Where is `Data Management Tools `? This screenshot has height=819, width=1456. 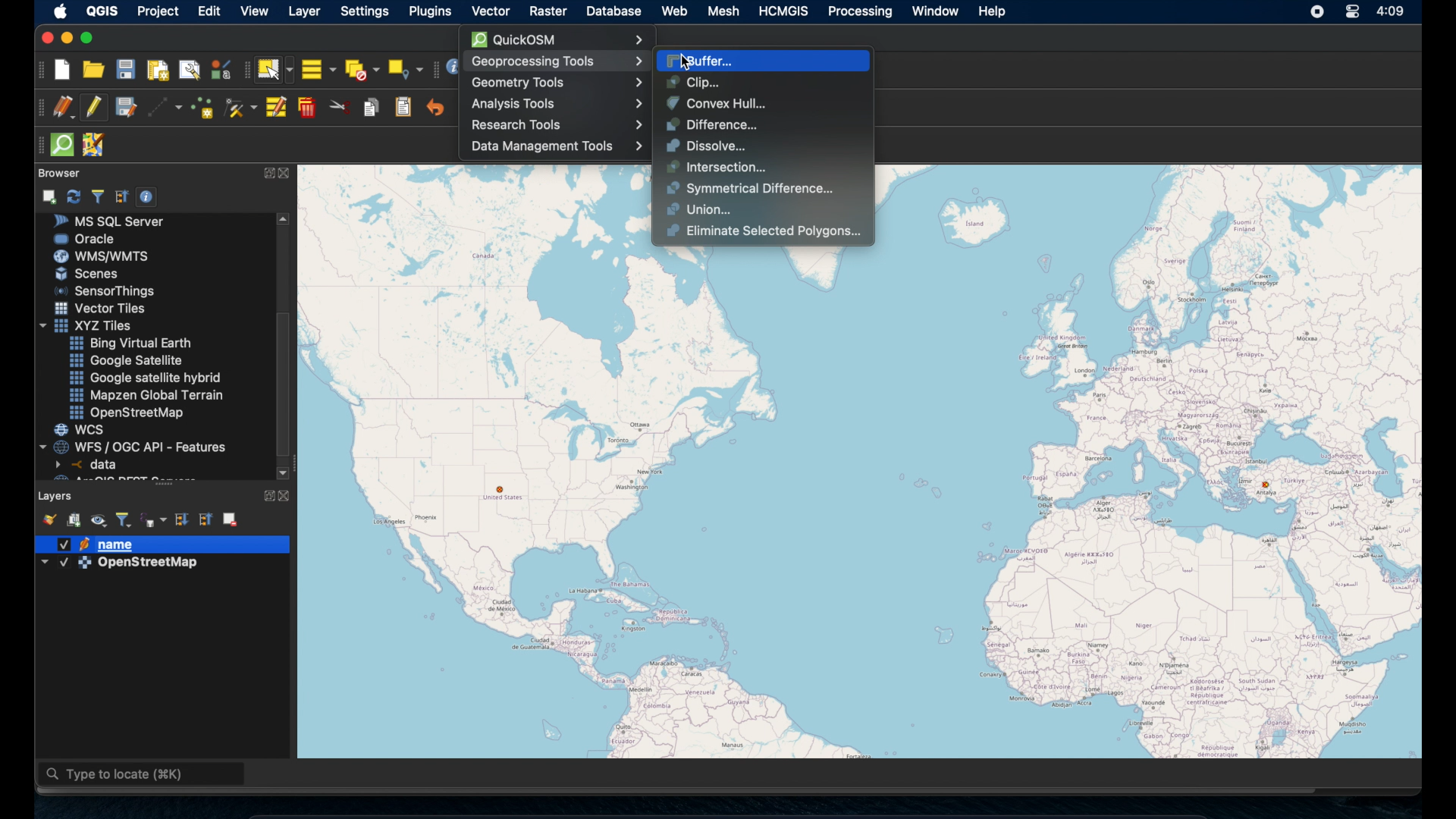
Data Management Tools  is located at coordinates (554, 146).